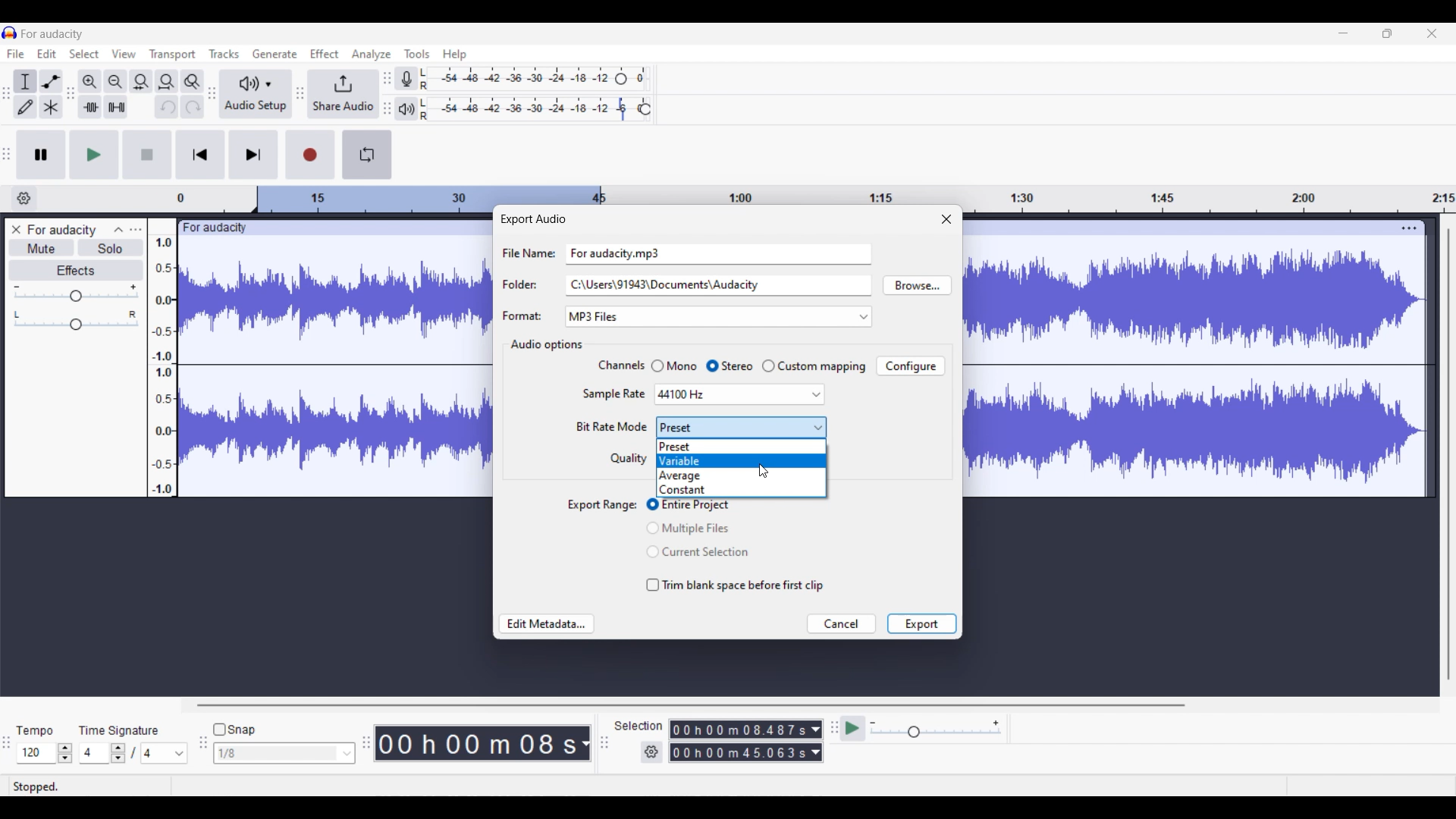  I want to click on Transport menu, so click(173, 55).